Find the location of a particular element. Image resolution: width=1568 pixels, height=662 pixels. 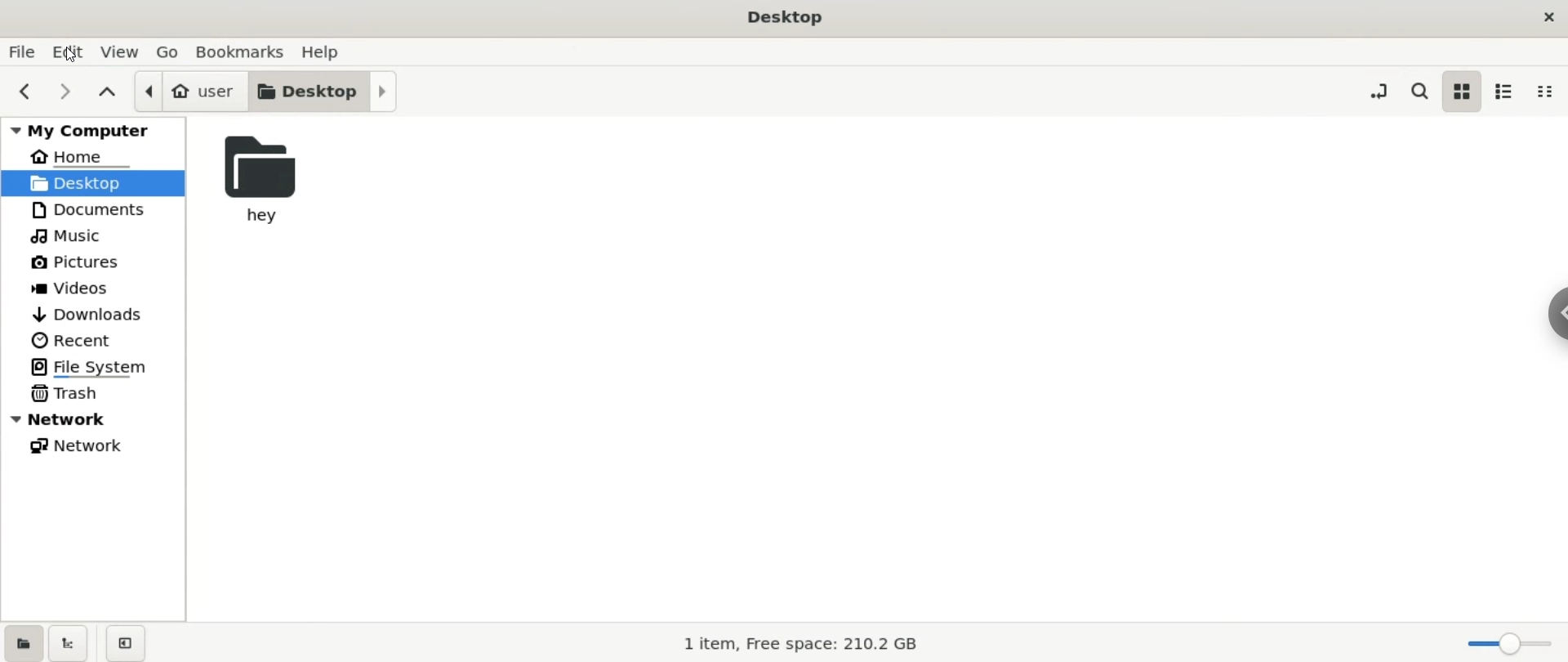

bookmarks is located at coordinates (240, 51).